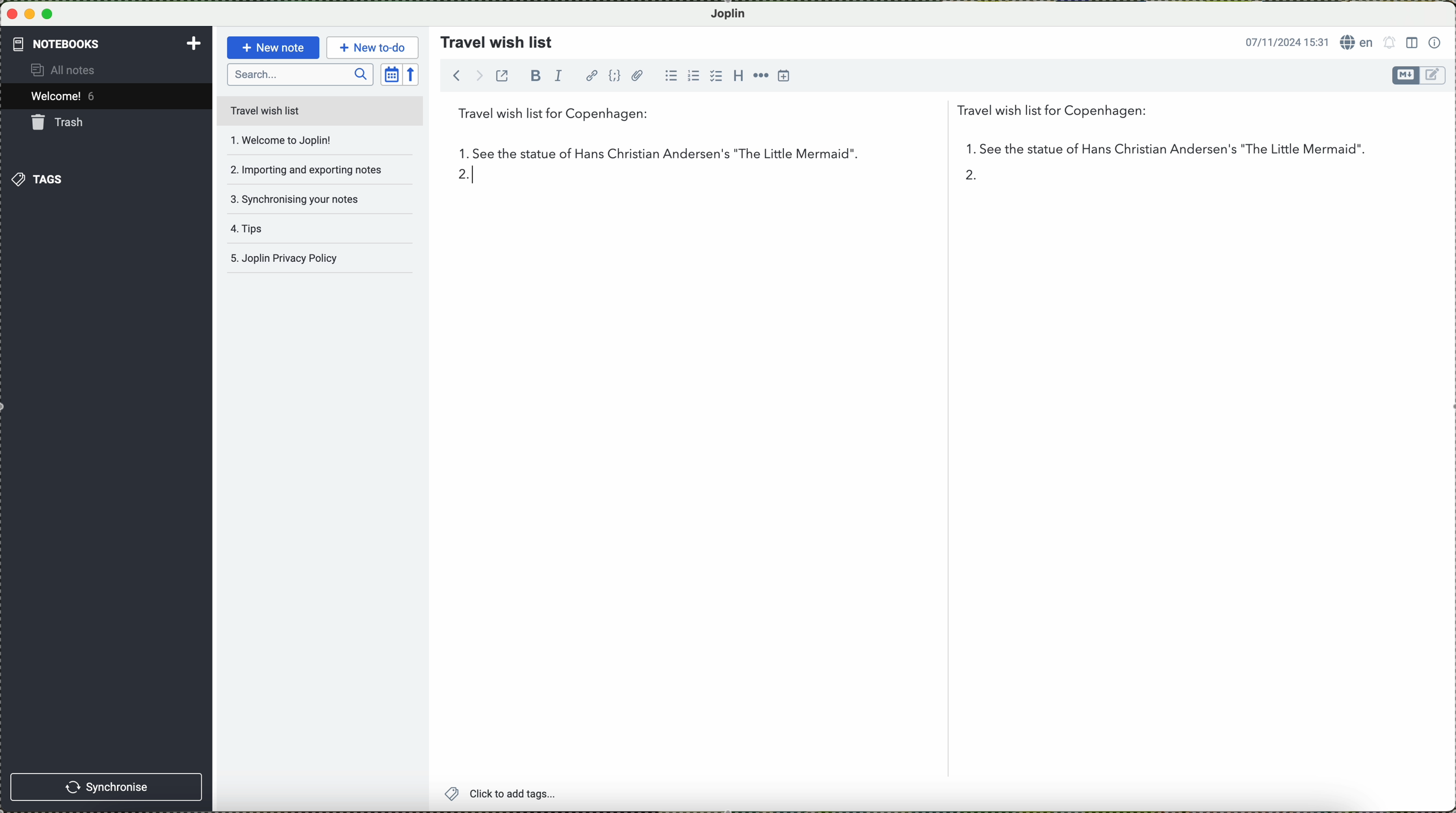 The image size is (1456, 813). Describe the element at coordinates (638, 75) in the screenshot. I see `attach file` at that location.